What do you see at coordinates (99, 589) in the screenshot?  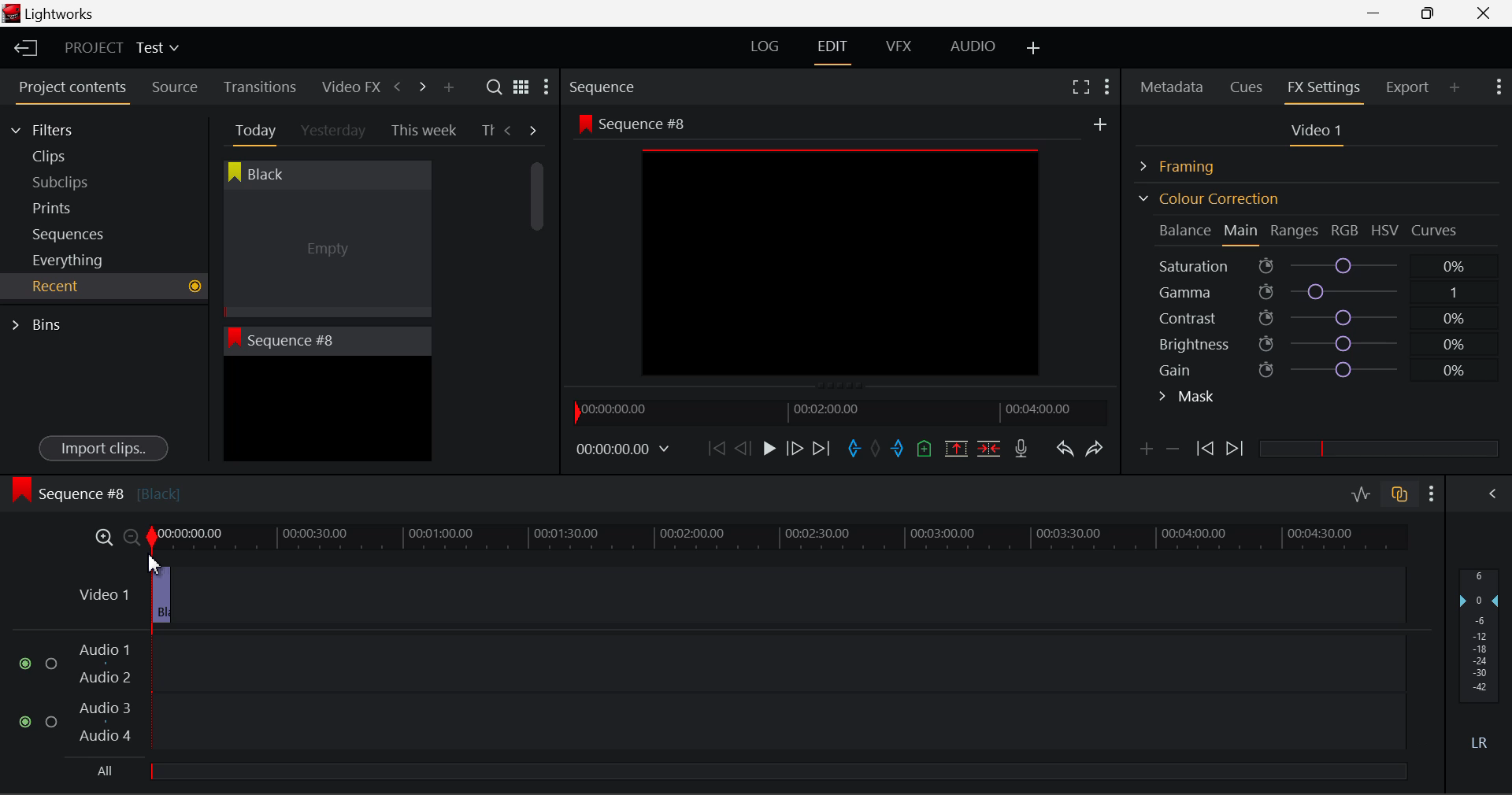 I see `Video 1` at bounding box center [99, 589].